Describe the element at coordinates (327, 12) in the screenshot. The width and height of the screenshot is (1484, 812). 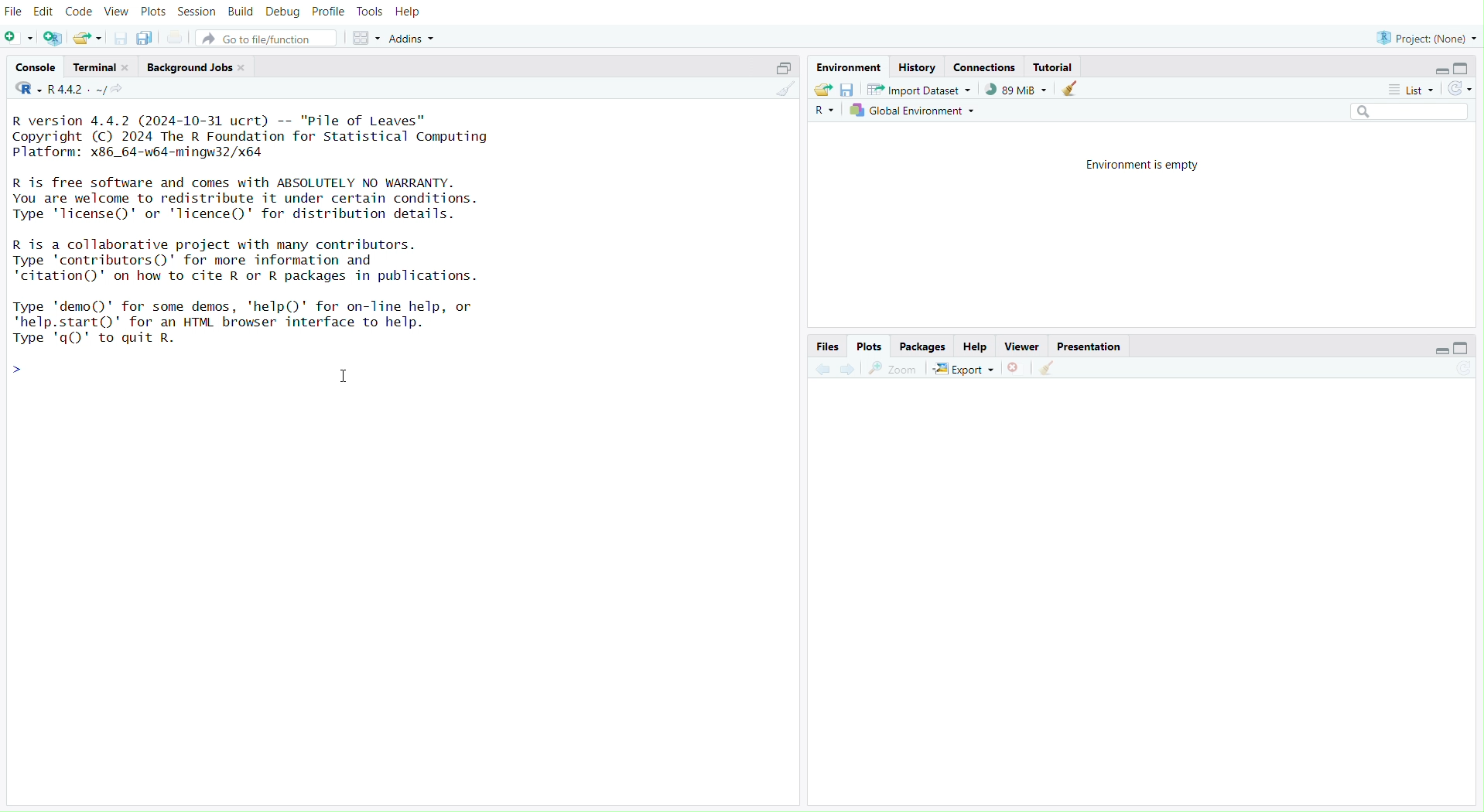
I see `Profile` at that location.